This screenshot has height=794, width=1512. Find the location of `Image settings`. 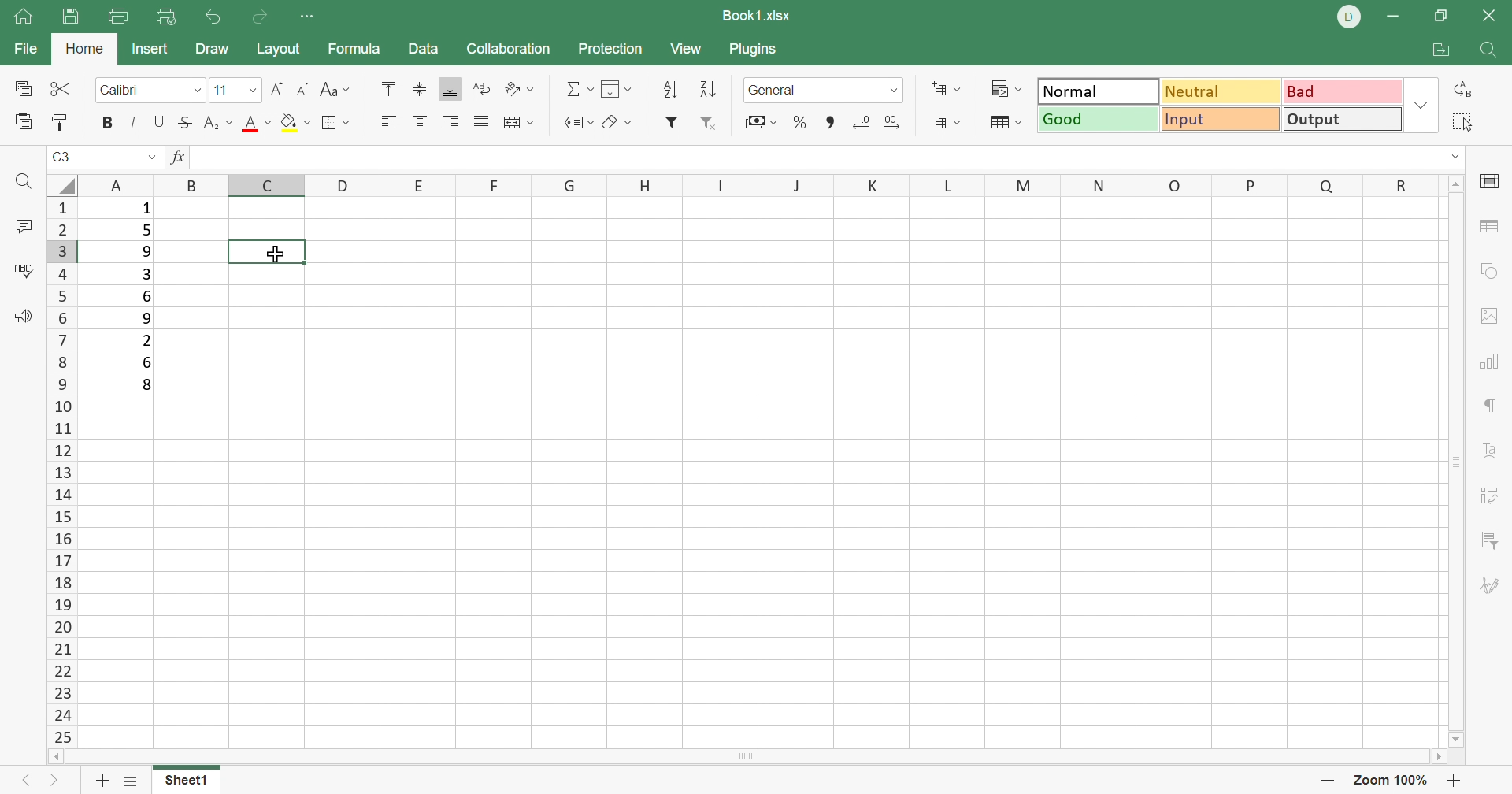

Image settings is located at coordinates (1491, 317).